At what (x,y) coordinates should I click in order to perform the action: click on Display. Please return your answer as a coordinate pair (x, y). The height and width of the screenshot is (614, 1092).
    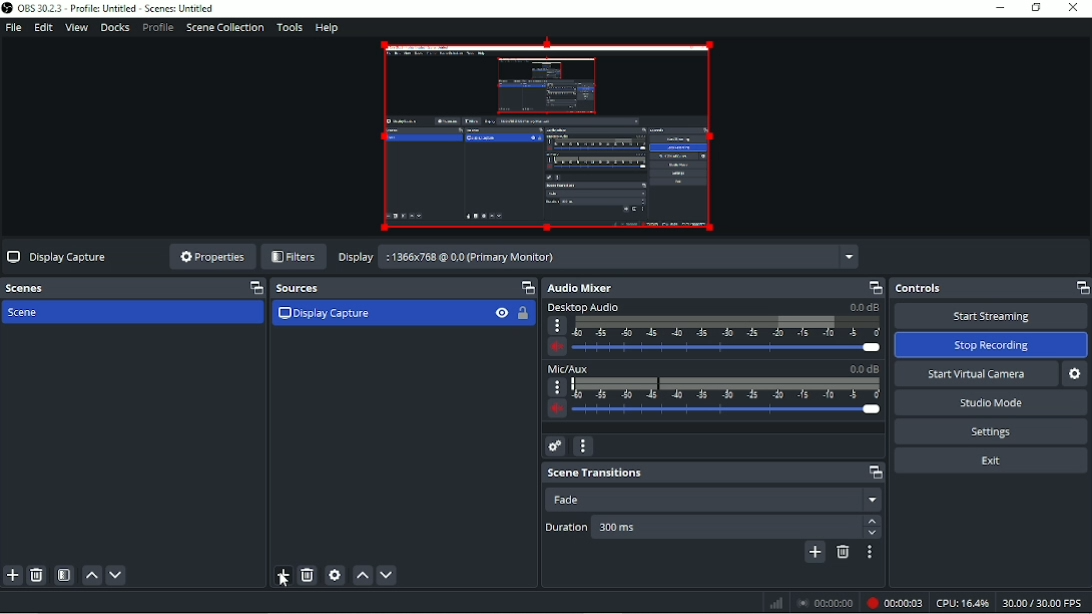
    Looking at the image, I should click on (354, 257).